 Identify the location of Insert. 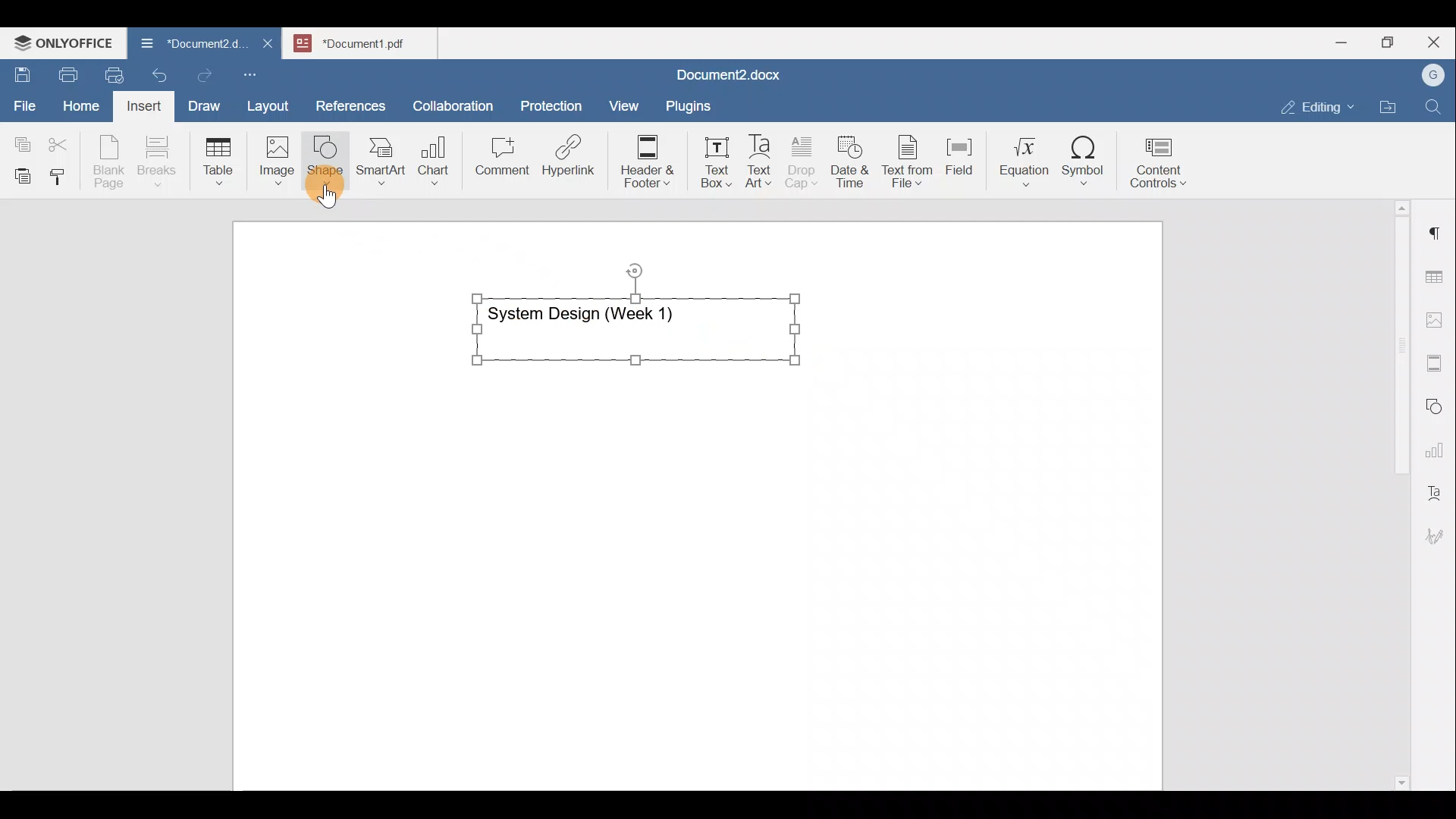
(140, 103).